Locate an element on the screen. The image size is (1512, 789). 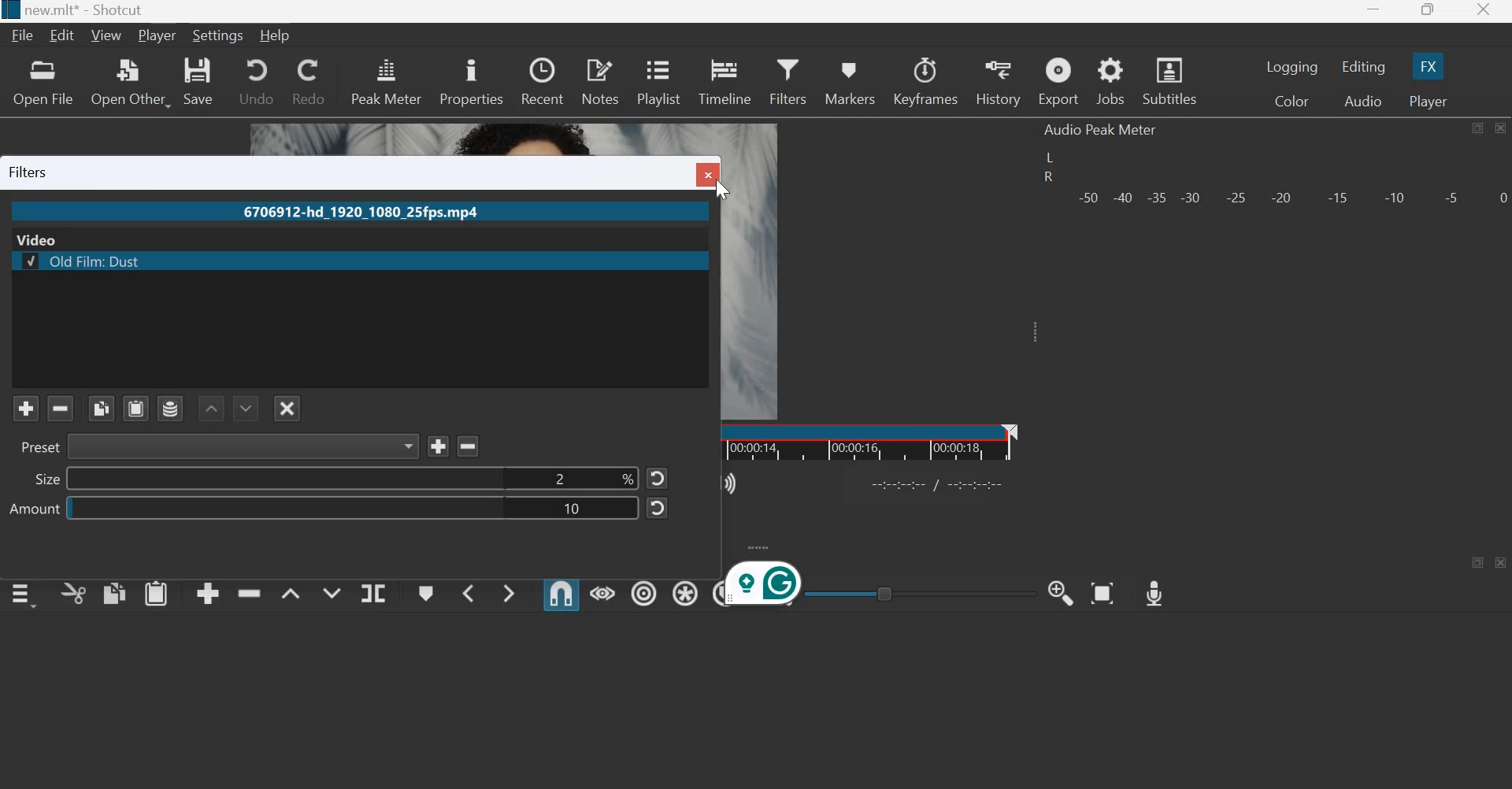
Preset is located at coordinates (36, 447).